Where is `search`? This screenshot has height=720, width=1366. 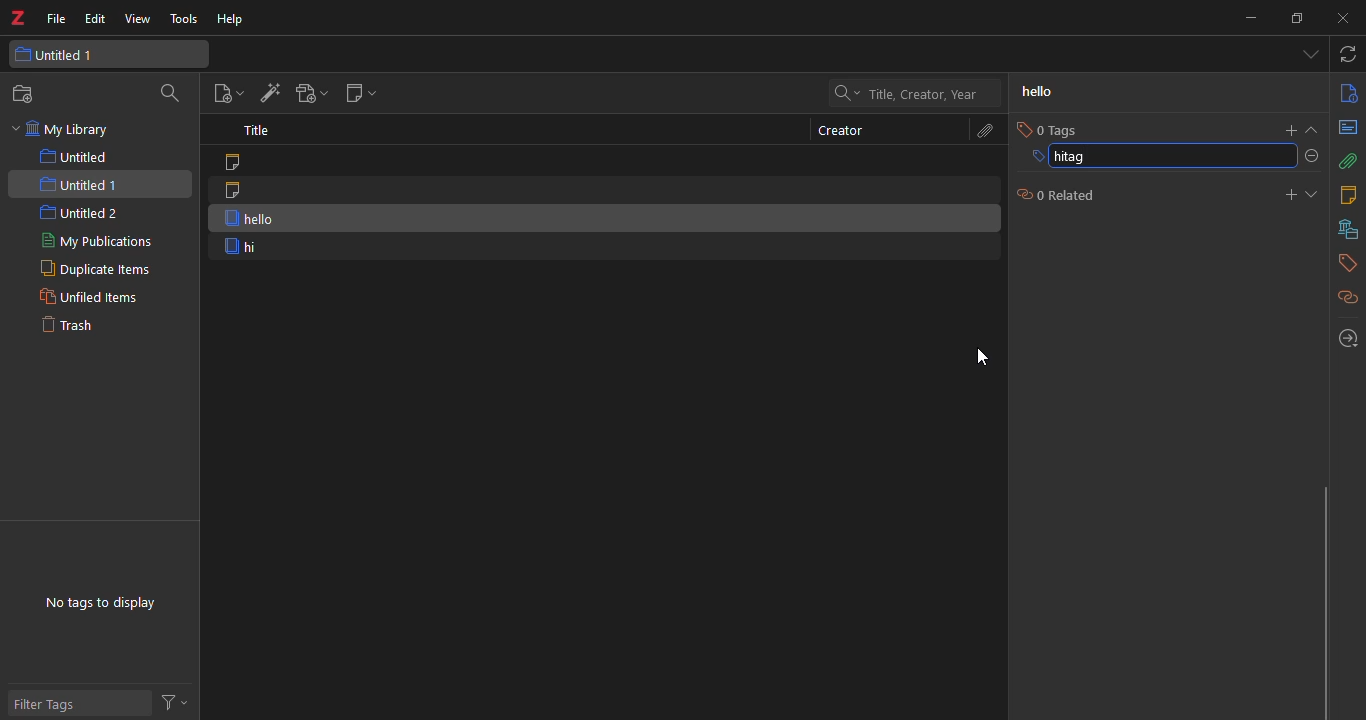 search is located at coordinates (172, 94).